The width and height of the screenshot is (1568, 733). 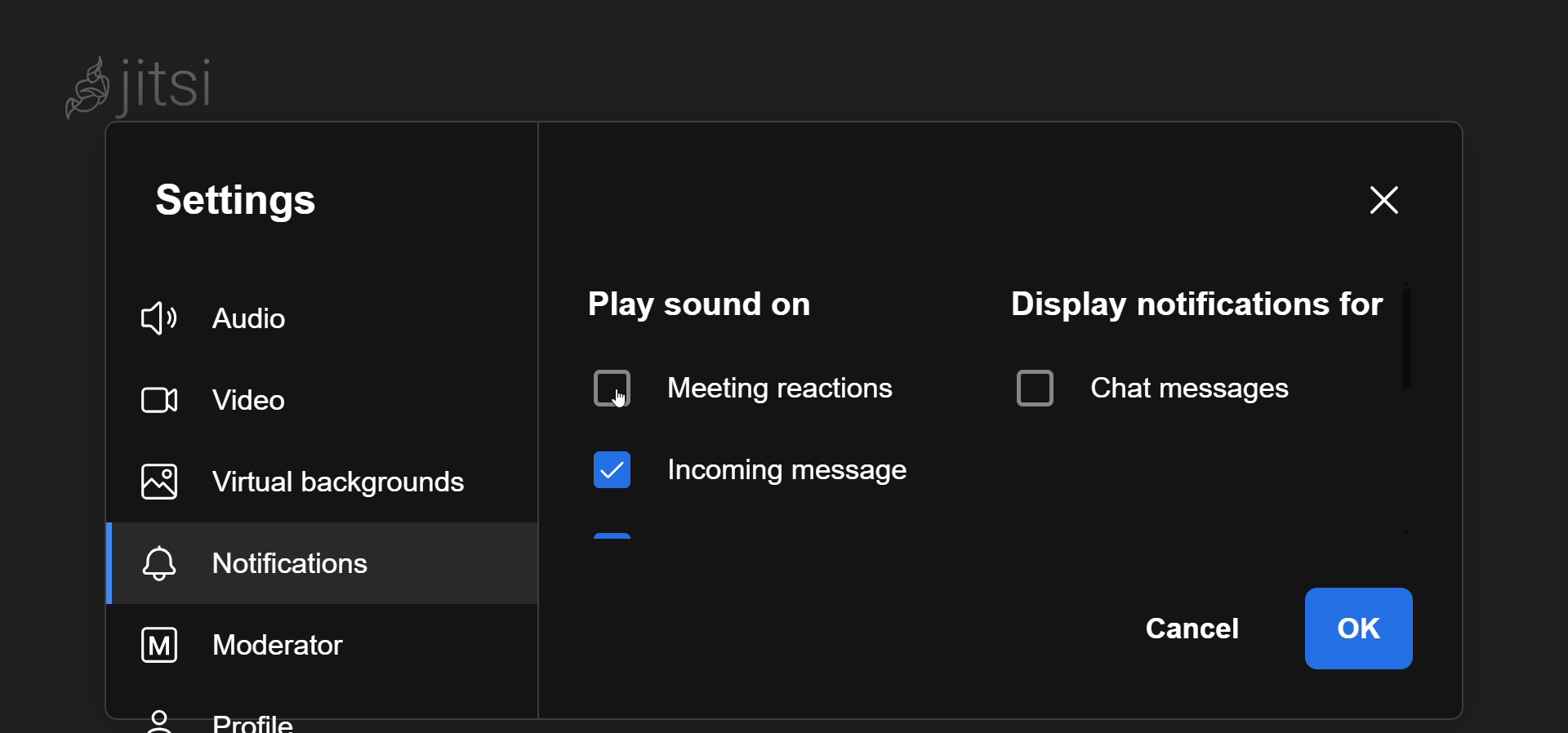 What do you see at coordinates (1414, 340) in the screenshot?
I see `scroll bar` at bounding box center [1414, 340].